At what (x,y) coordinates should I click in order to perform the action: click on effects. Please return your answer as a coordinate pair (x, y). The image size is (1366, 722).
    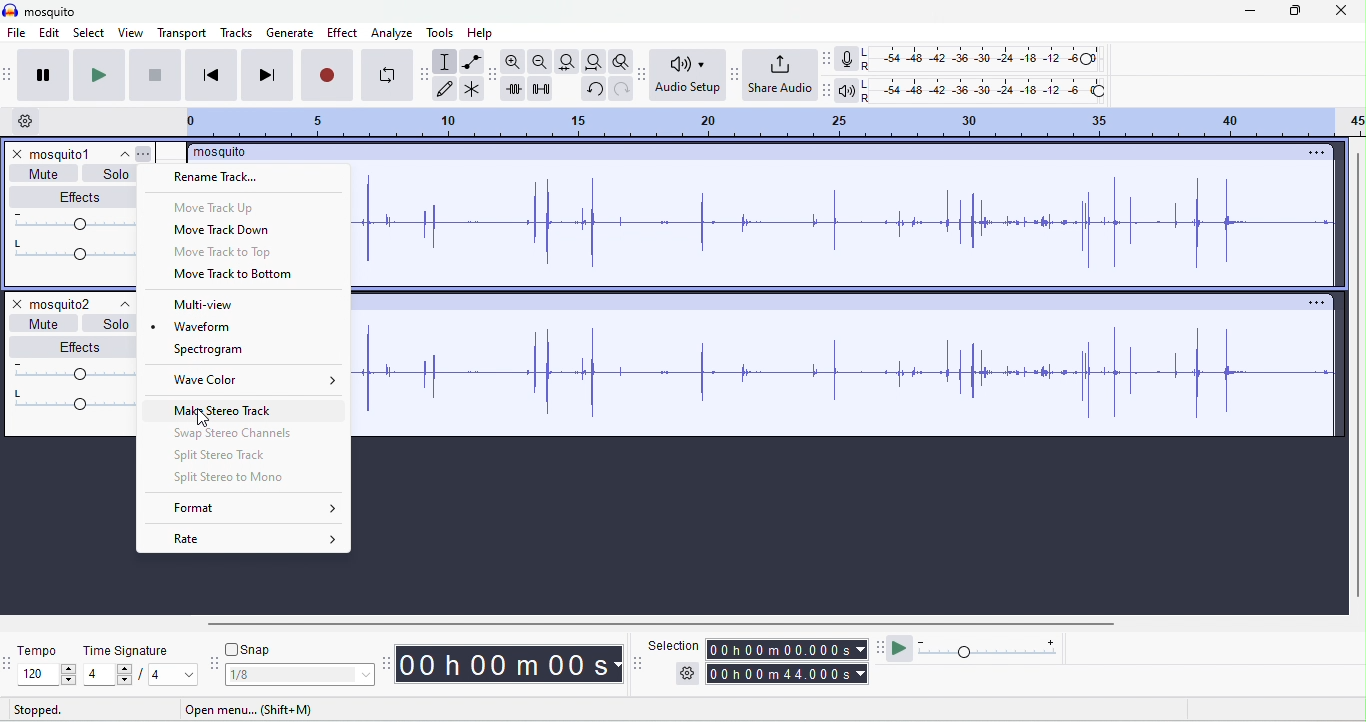
    Looking at the image, I should click on (81, 347).